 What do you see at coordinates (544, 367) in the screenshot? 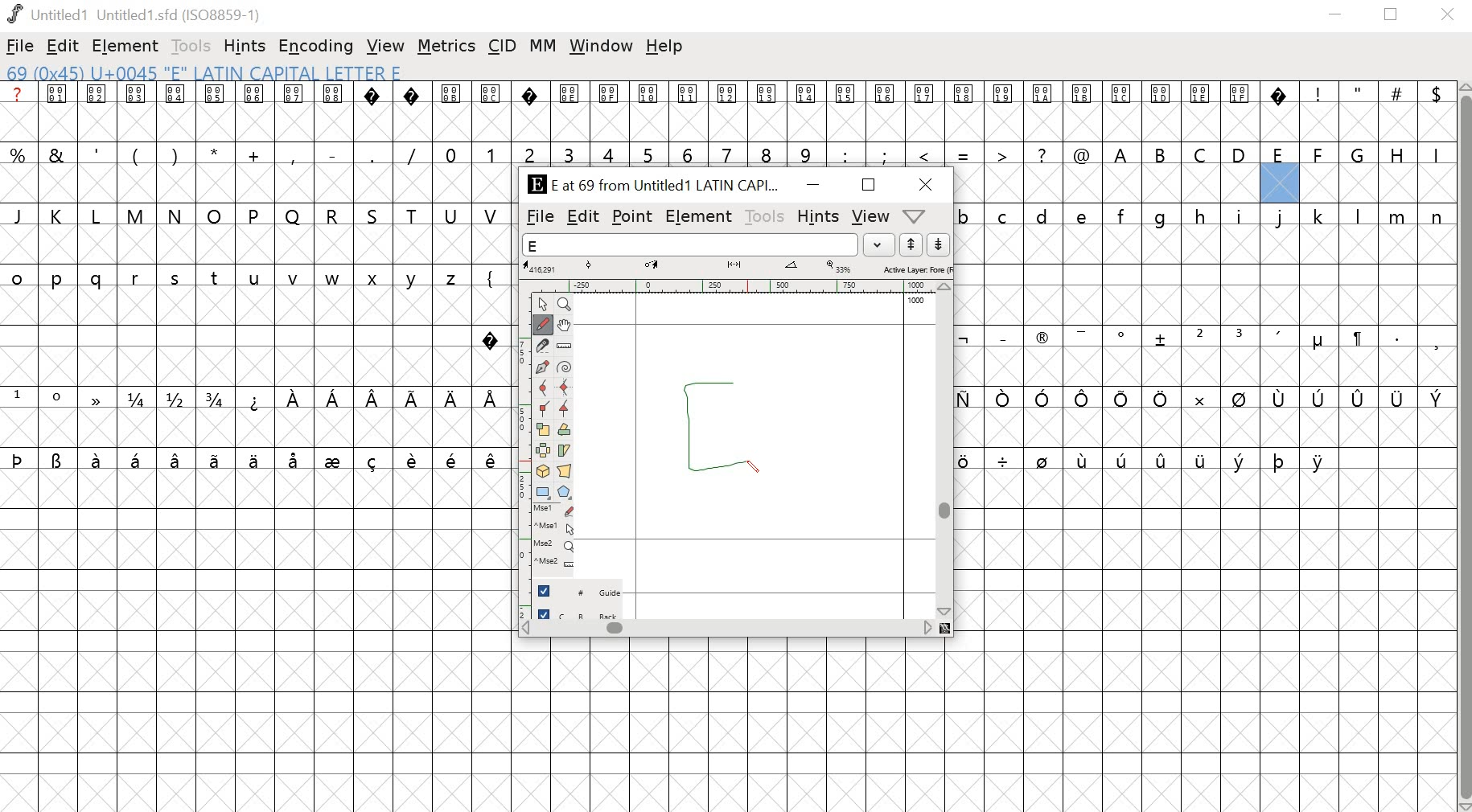
I see `Pen` at bounding box center [544, 367].